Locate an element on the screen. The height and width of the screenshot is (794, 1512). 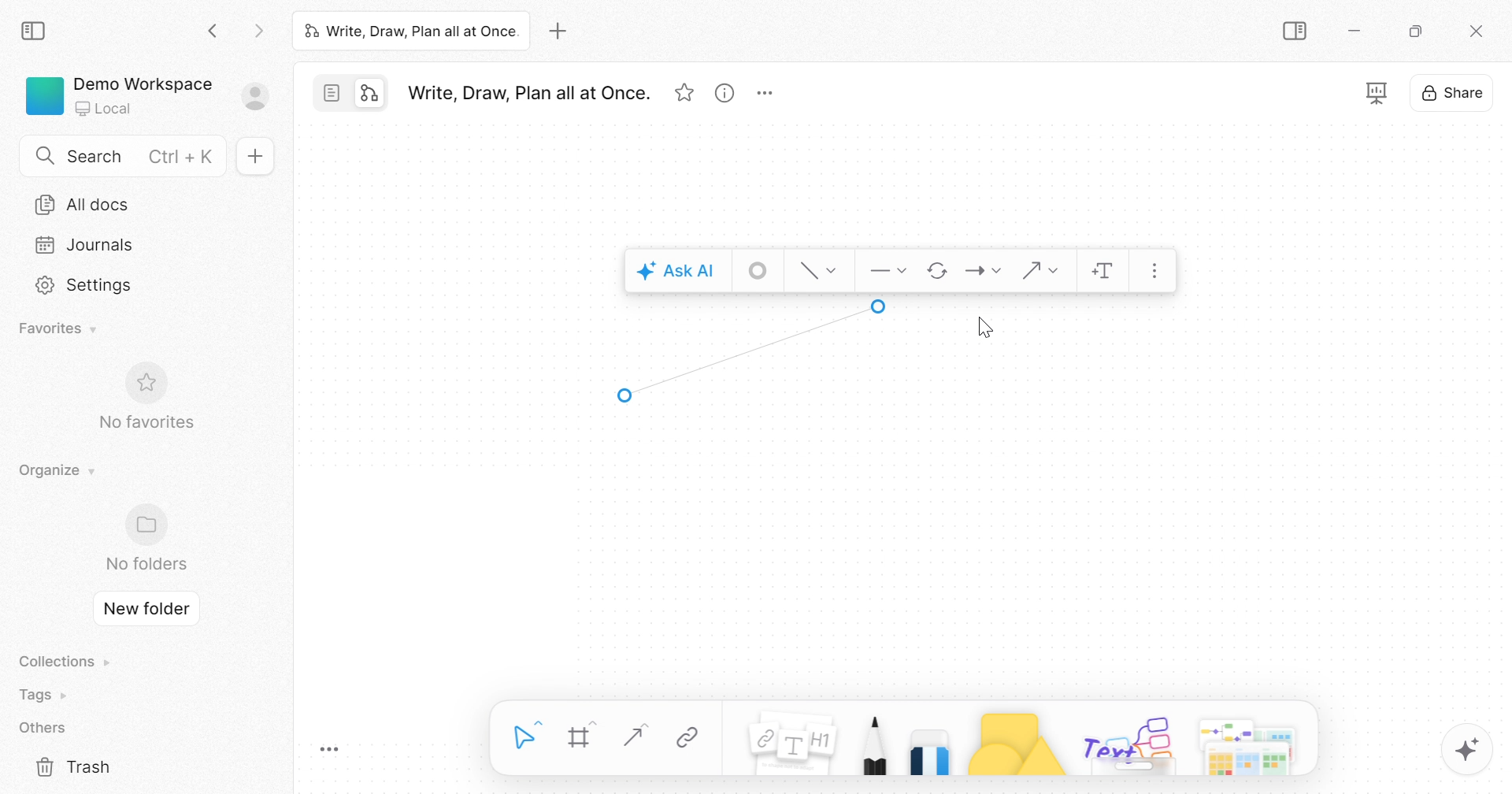
Collapse sidebar is located at coordinates (35, 31).